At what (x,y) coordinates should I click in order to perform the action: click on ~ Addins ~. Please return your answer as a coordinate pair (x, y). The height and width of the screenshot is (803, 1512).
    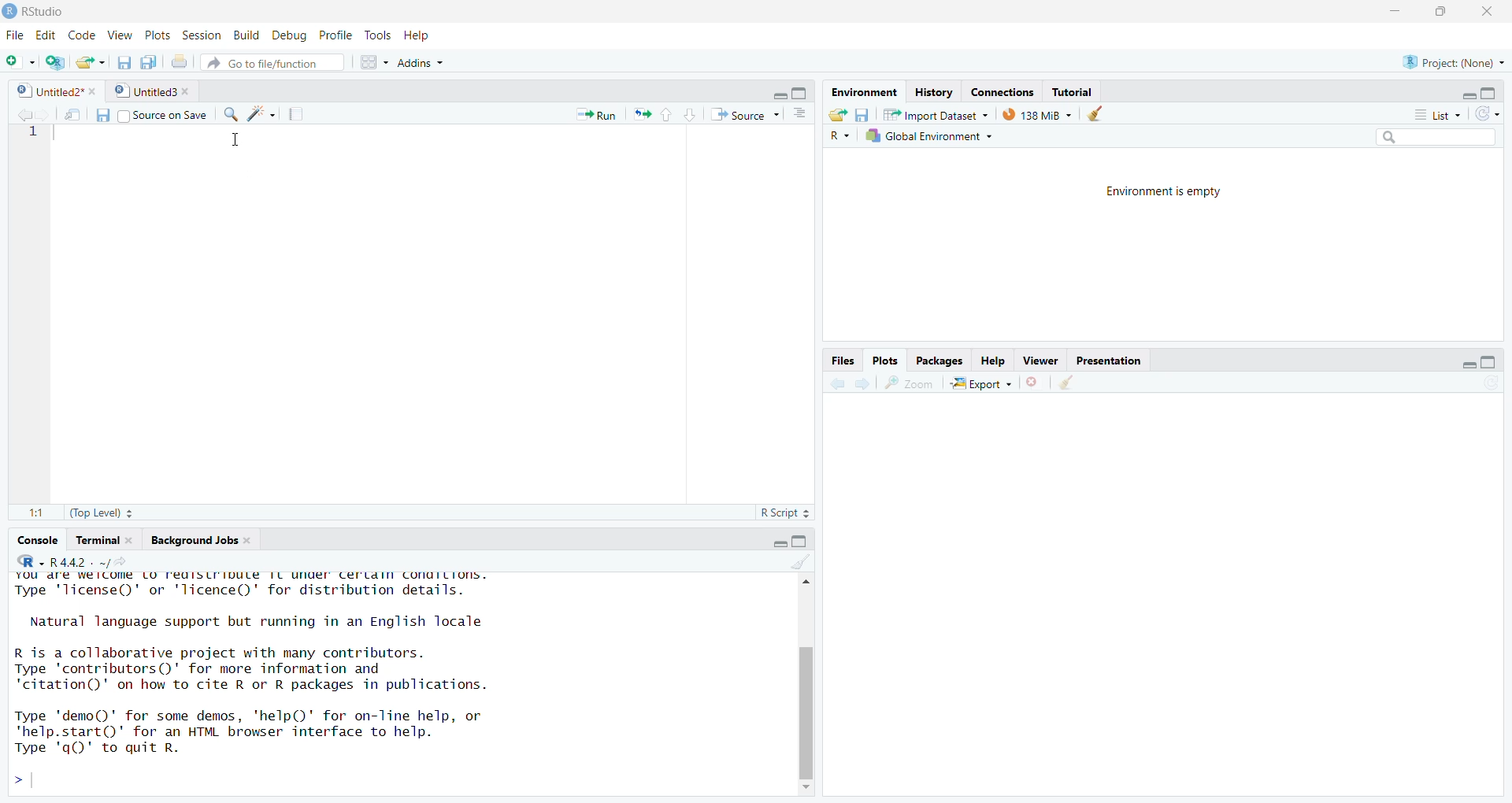
    Looking at the image, I should click on (434, 61).